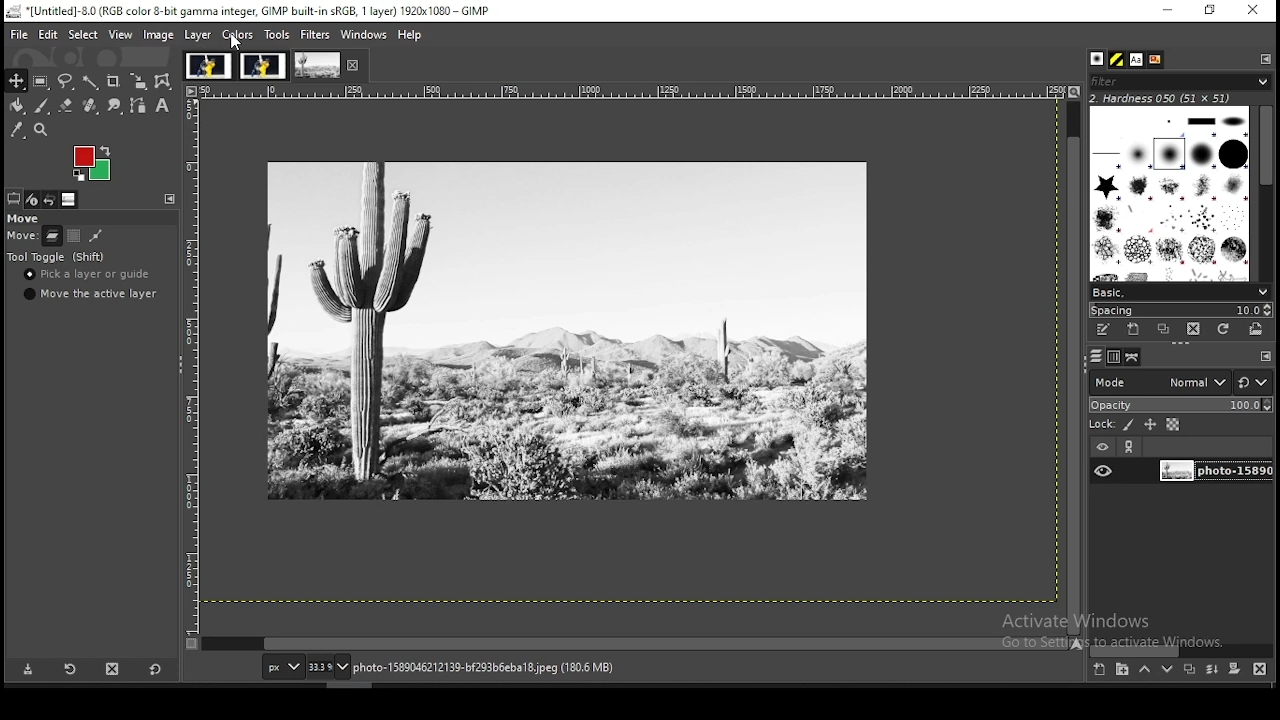 This screenshot has height=720, width=1280. I want to click on layer, so click(199, 35).